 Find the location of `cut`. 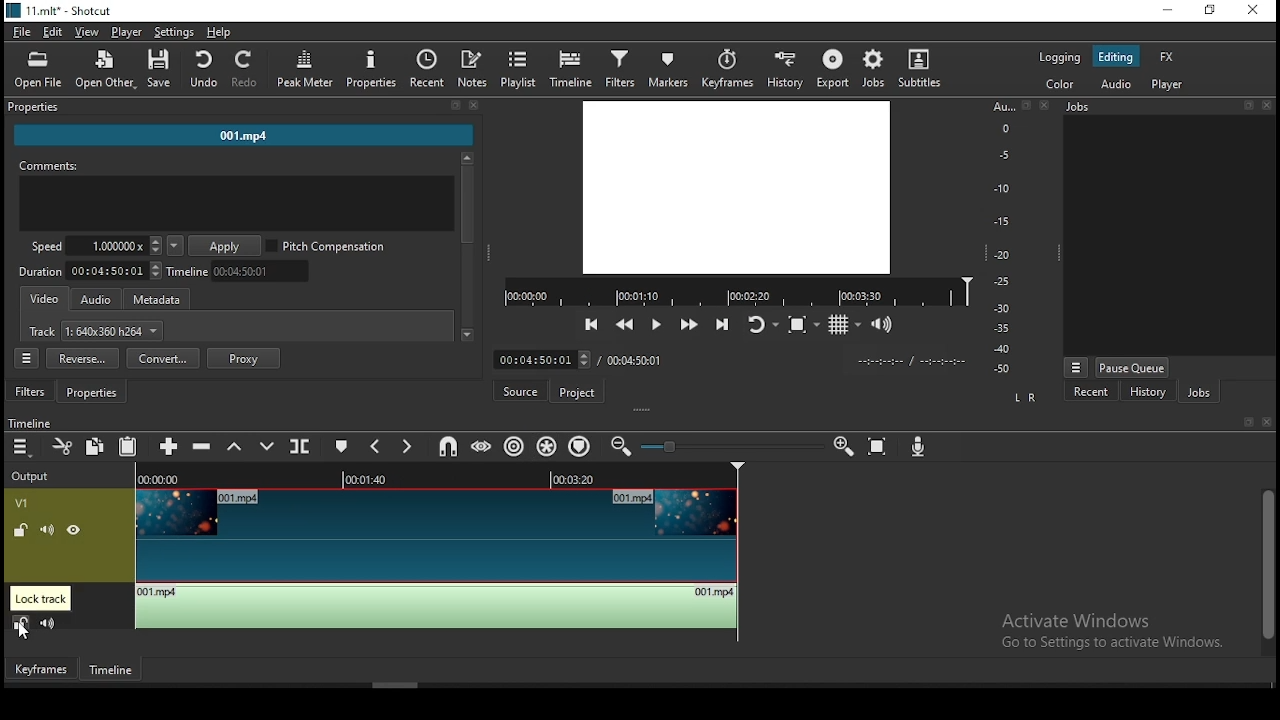

cut is located at coordinates (61, 446).